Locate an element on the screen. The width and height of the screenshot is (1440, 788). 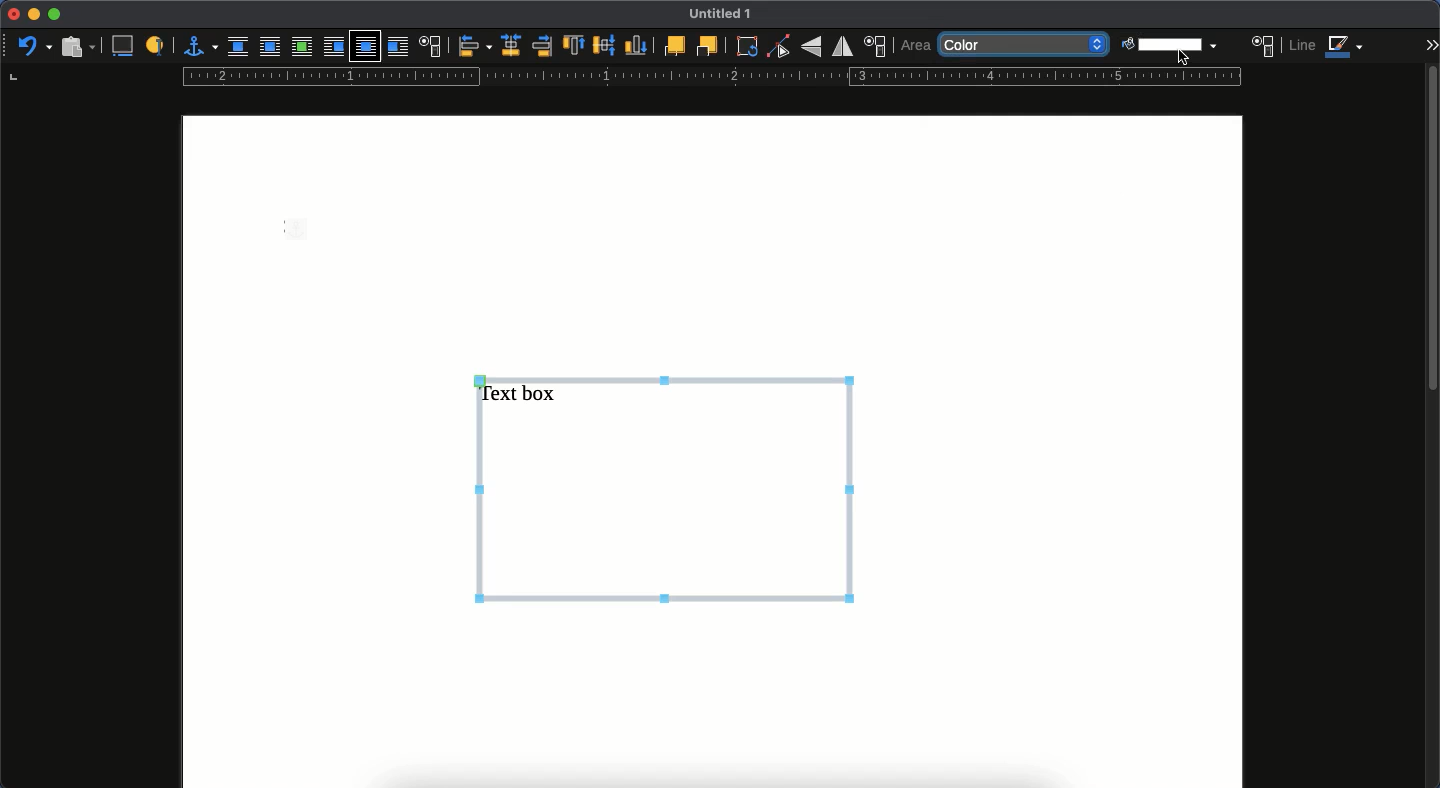
rotate vertically is located at coordinates (811, 48).